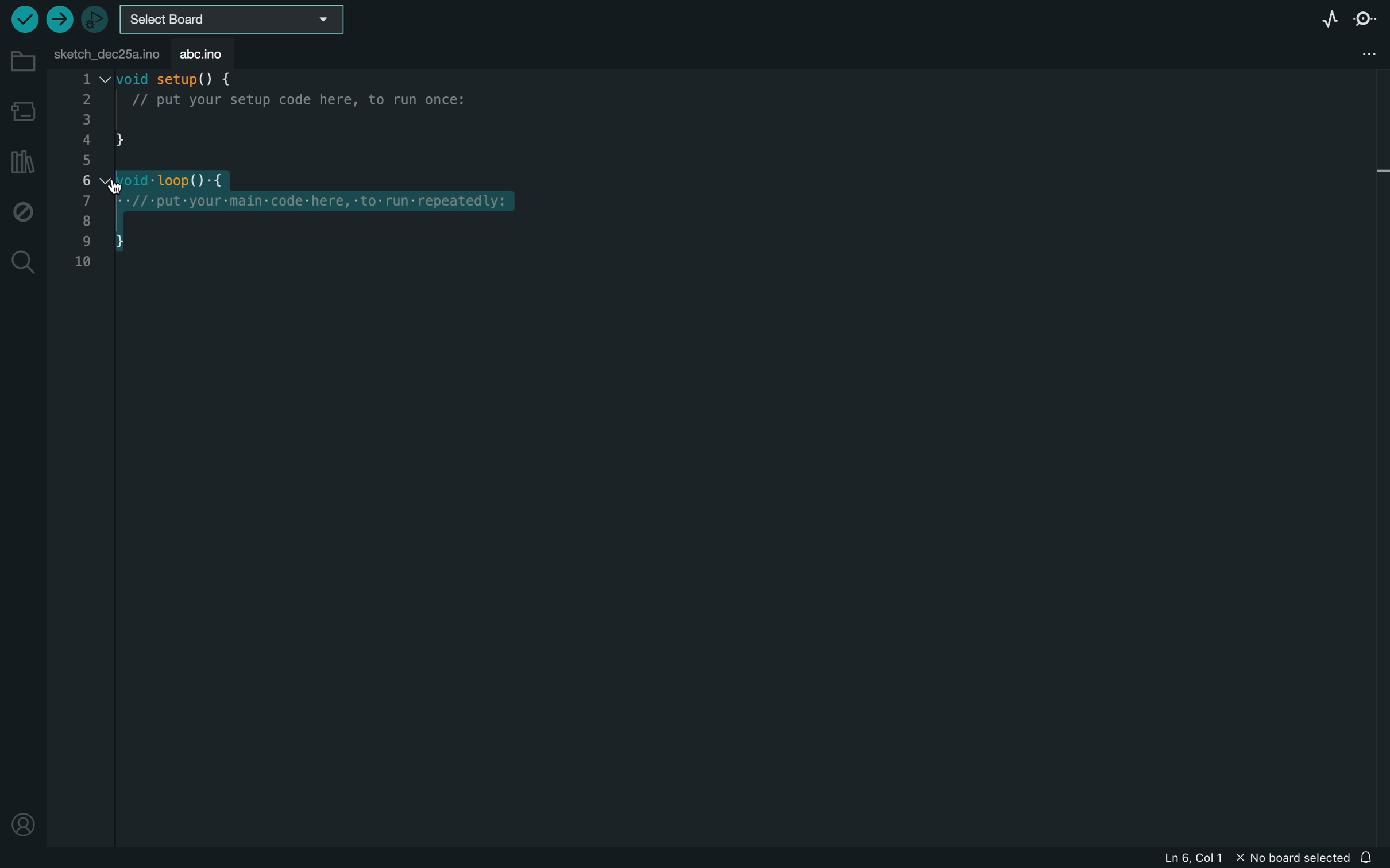 The width and height of the screenshot is (1390, 868). Describe the element at coordinates (1329, 18) in the screenshot. I see `serial  plotter` at that location.